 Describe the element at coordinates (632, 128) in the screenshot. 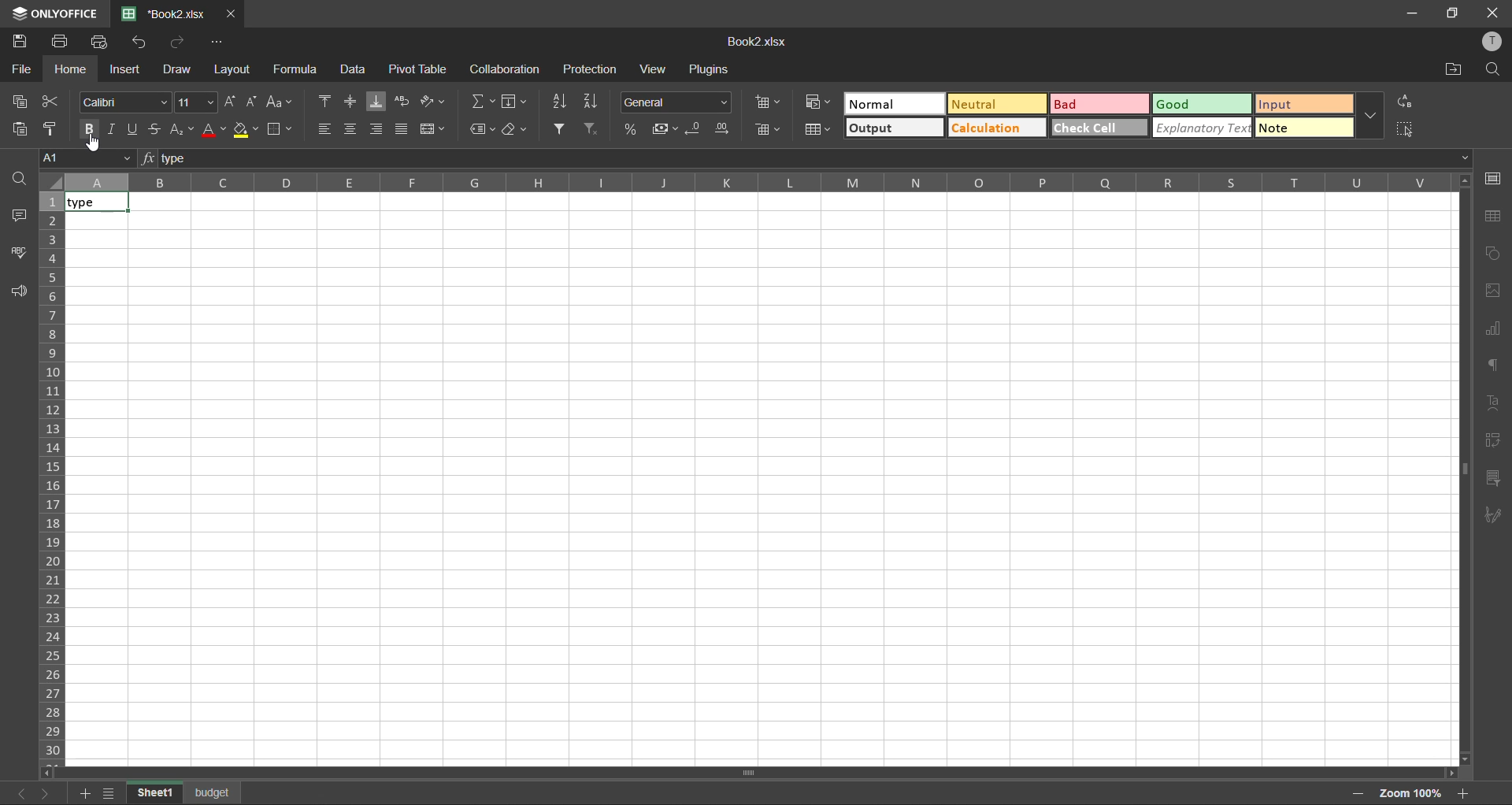

I see `percent` at that location.